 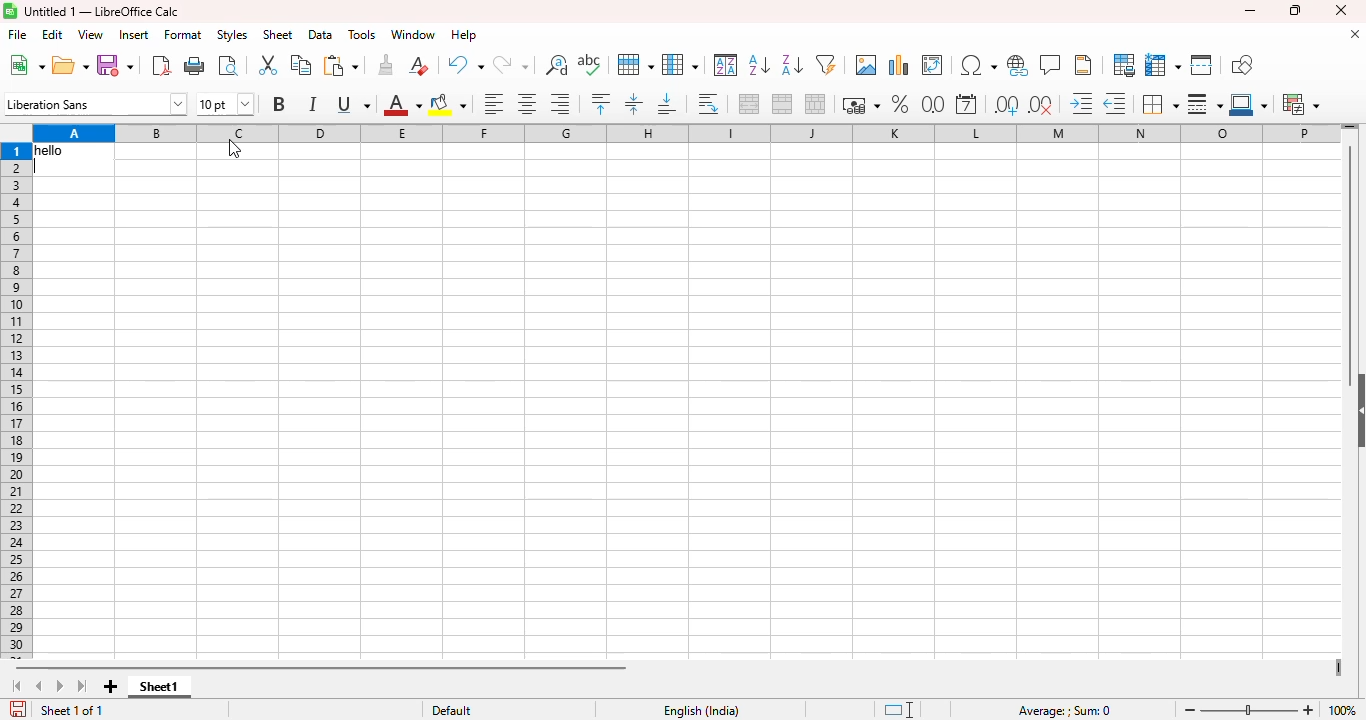 I want to click on freeze rows and columns, so click(x=1164, y=66).